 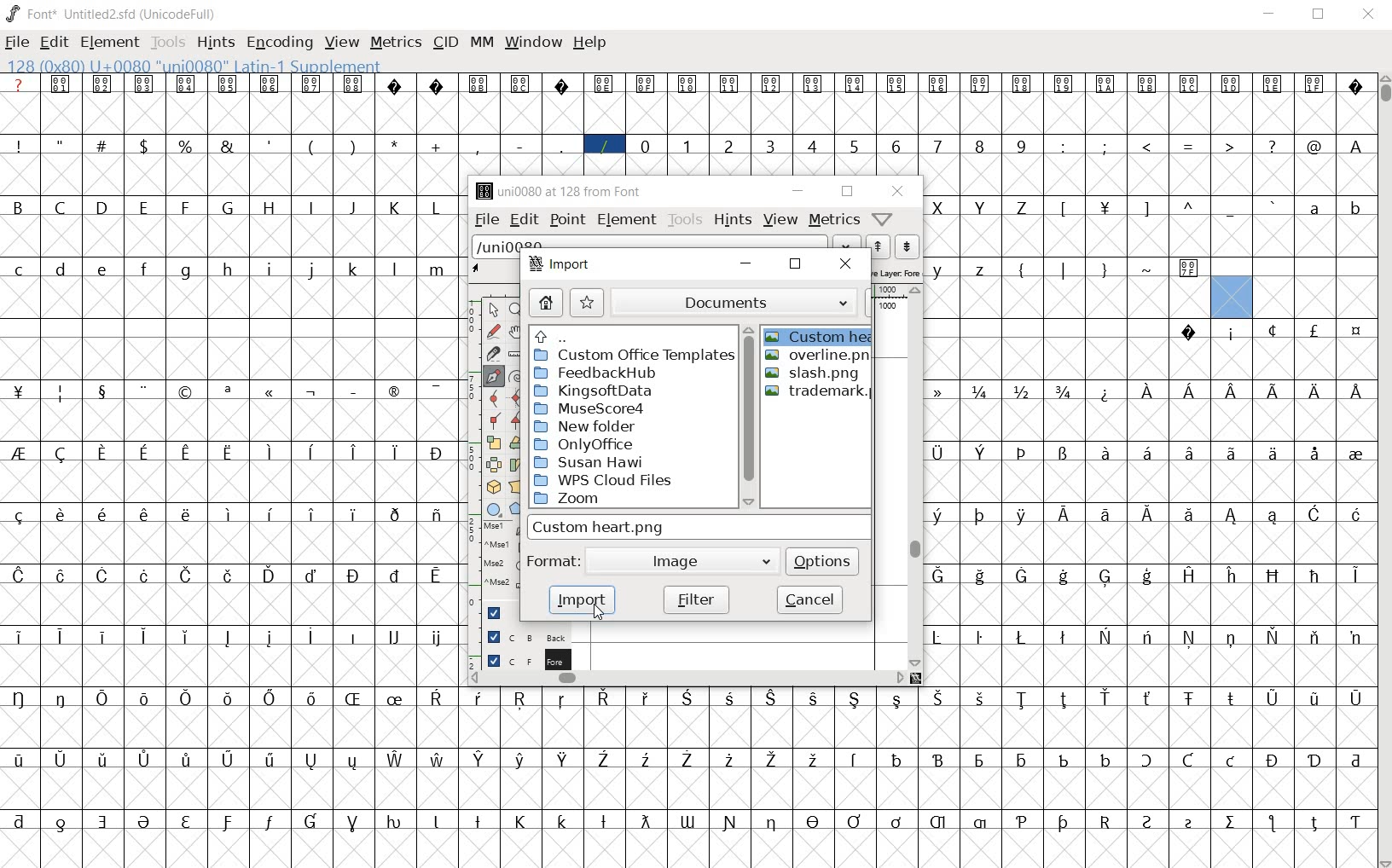 I want to click on minimize, so click(x=798, y=190).